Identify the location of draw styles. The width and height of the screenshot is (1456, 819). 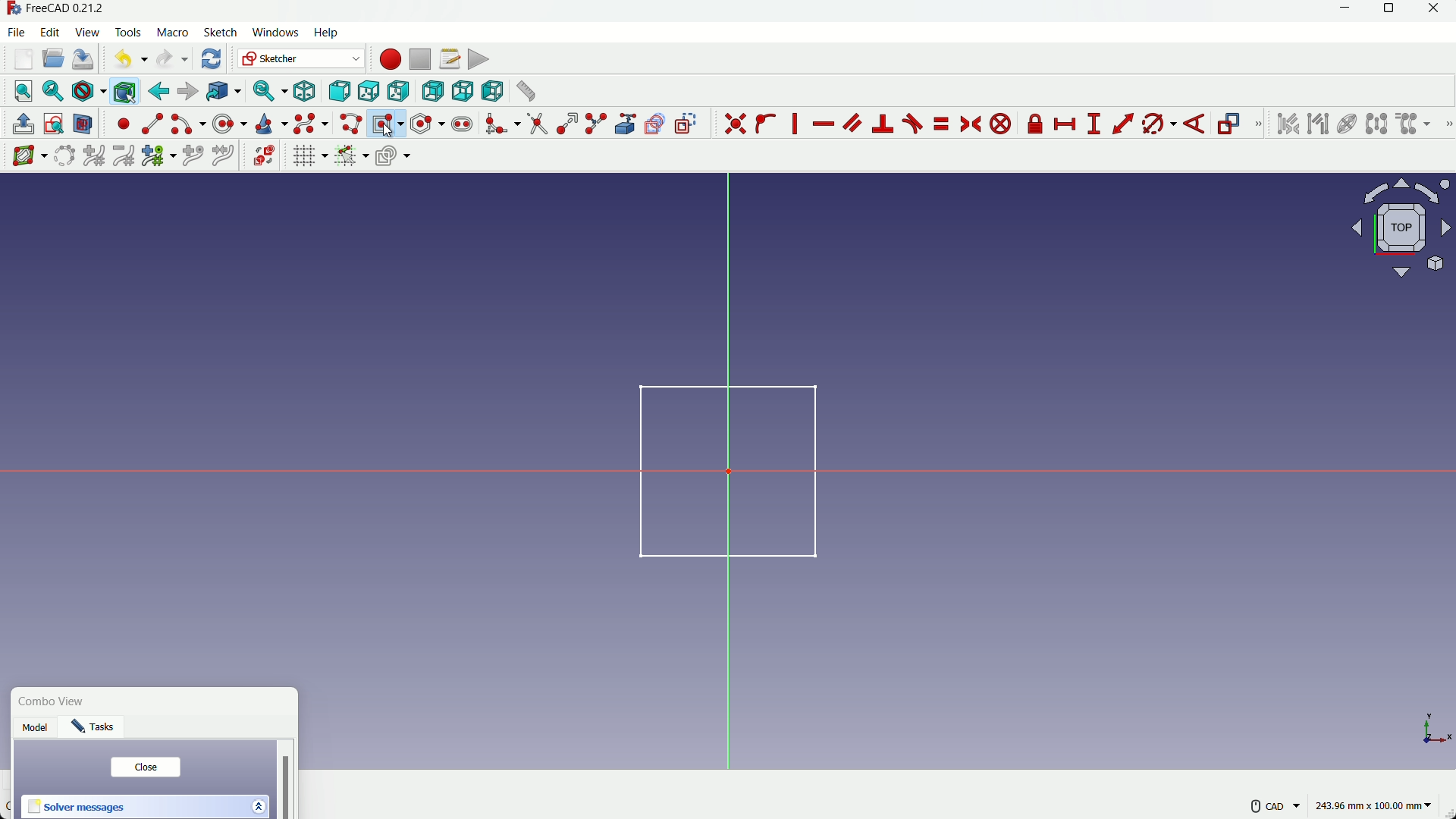
(88, 91).